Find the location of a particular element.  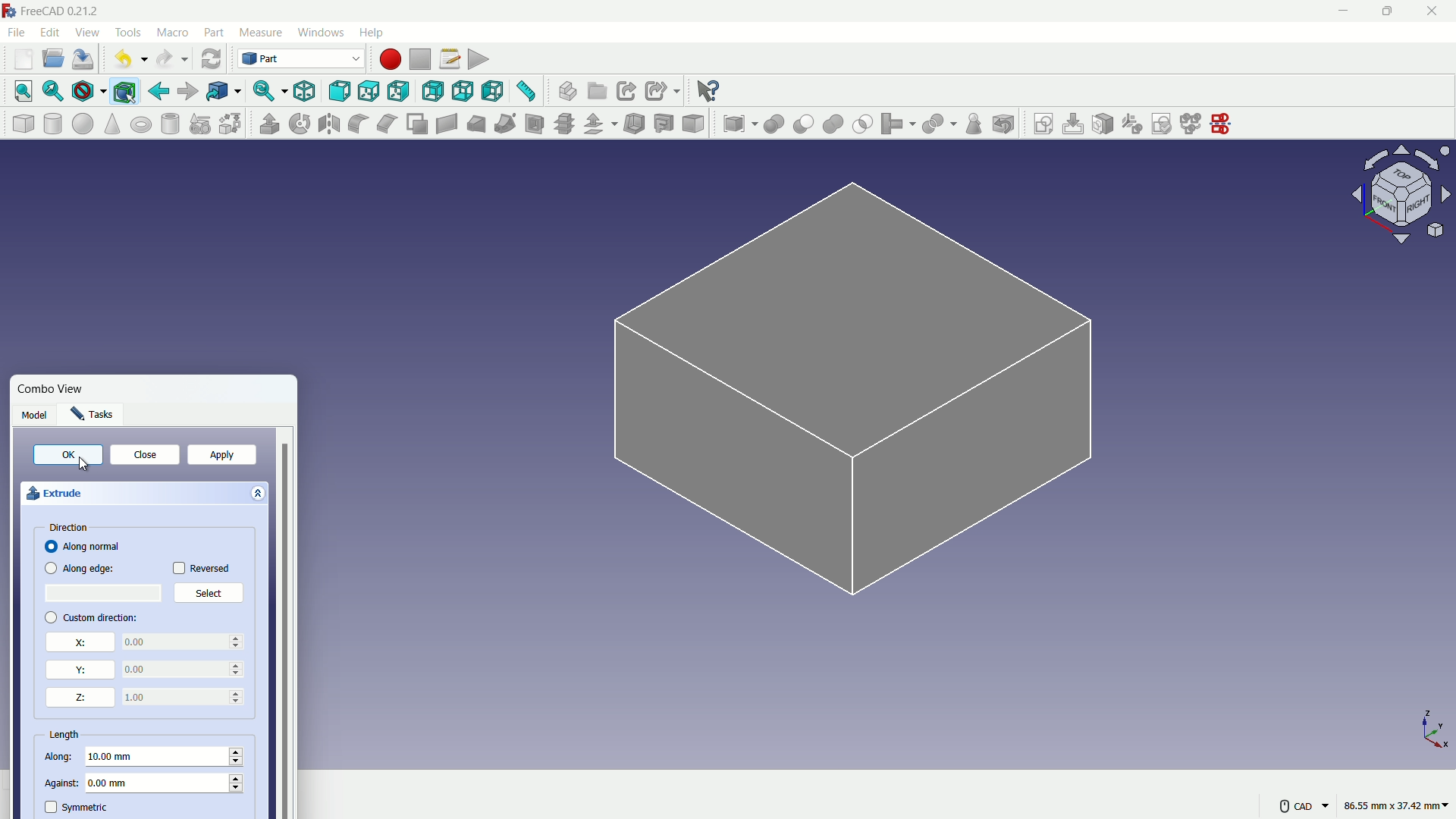

create part is located at coordinates (568, 90).